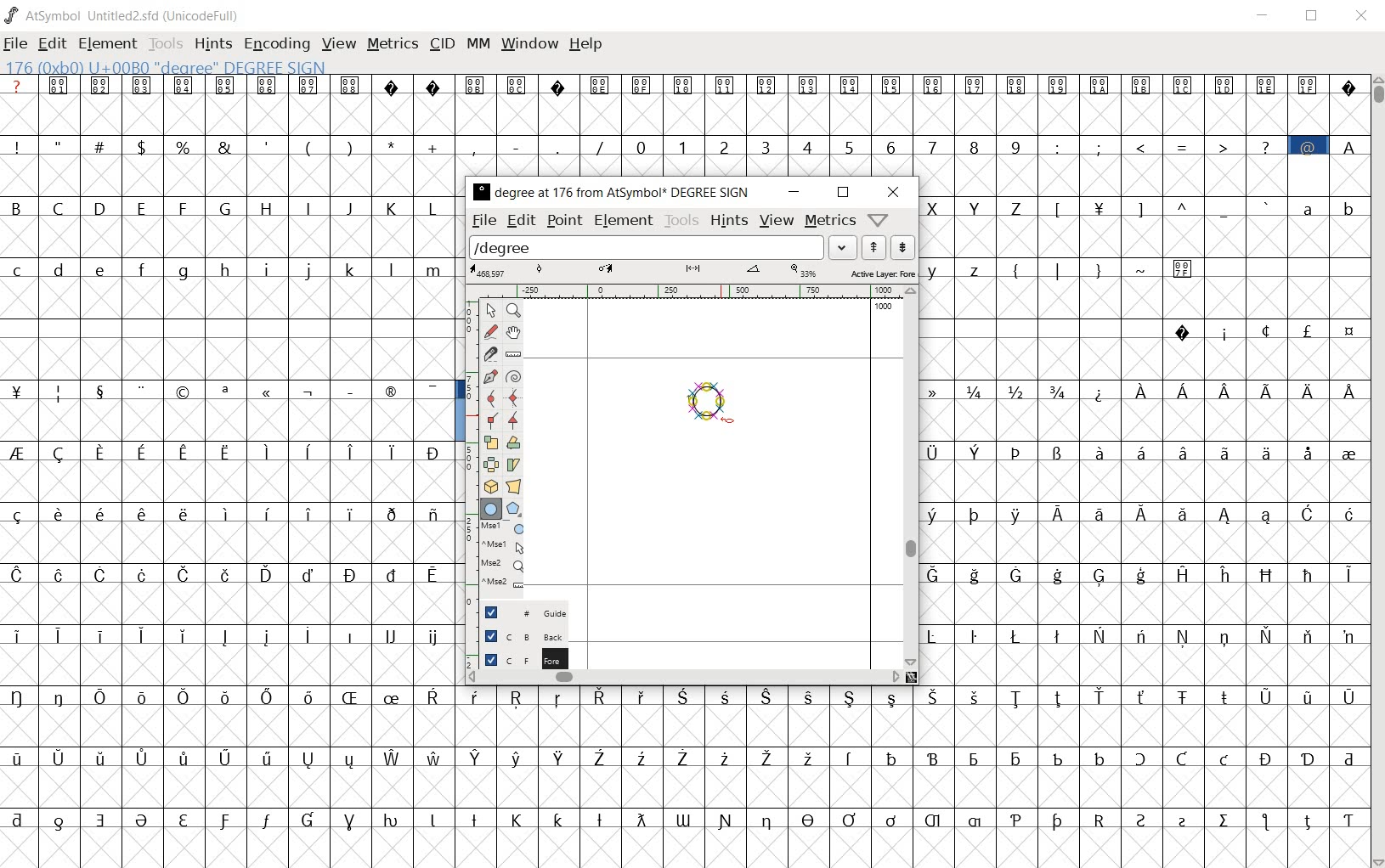 Image resolution: width=1385 pixels, height=868 pixels. Describe the element at coordinates (512, 420) in the screenshot. I see `Add a corner point` at that location.